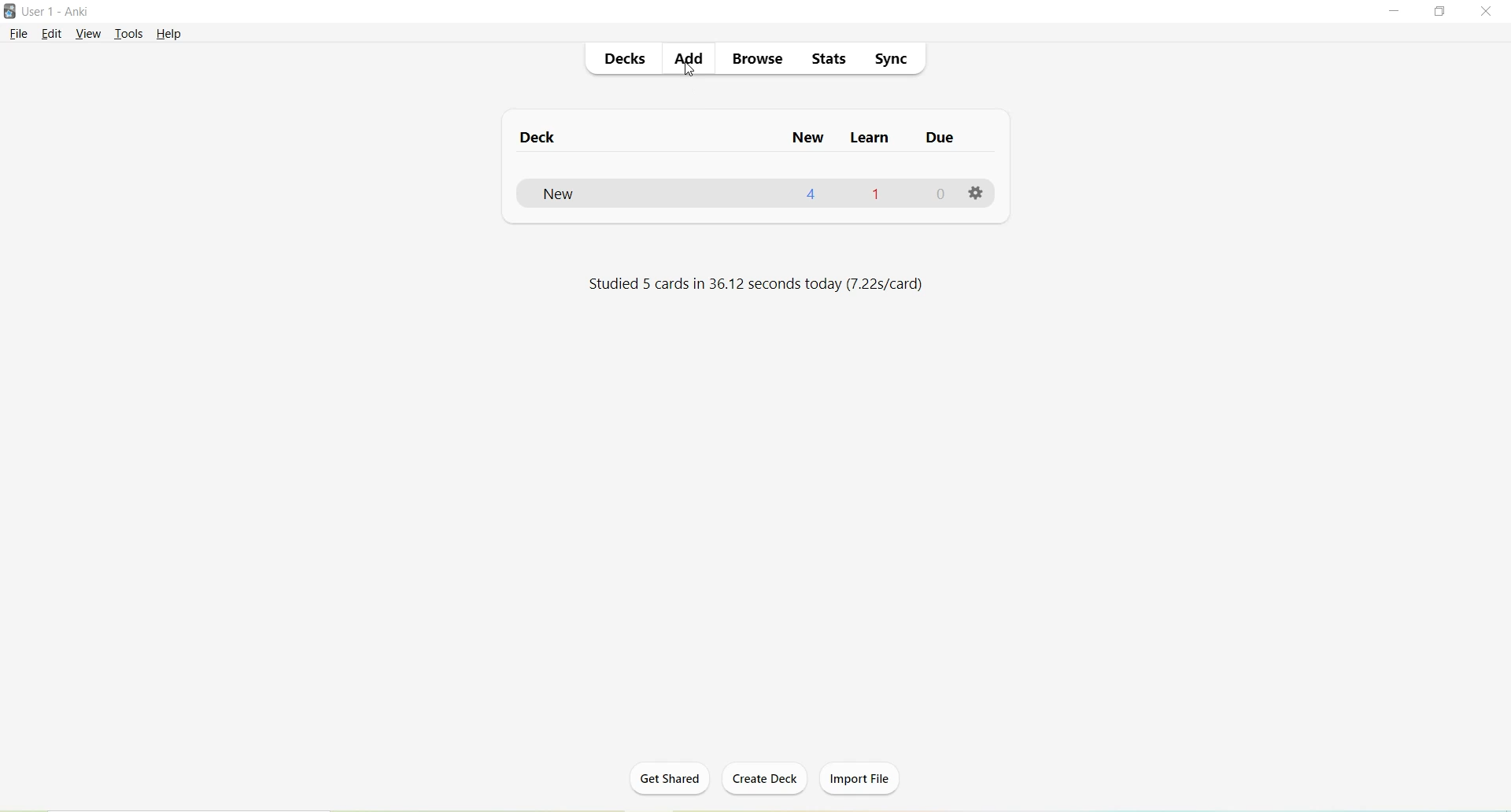 The width and height of the screenshot is (1511, 812). I want to click on 4, so click(813, 194).